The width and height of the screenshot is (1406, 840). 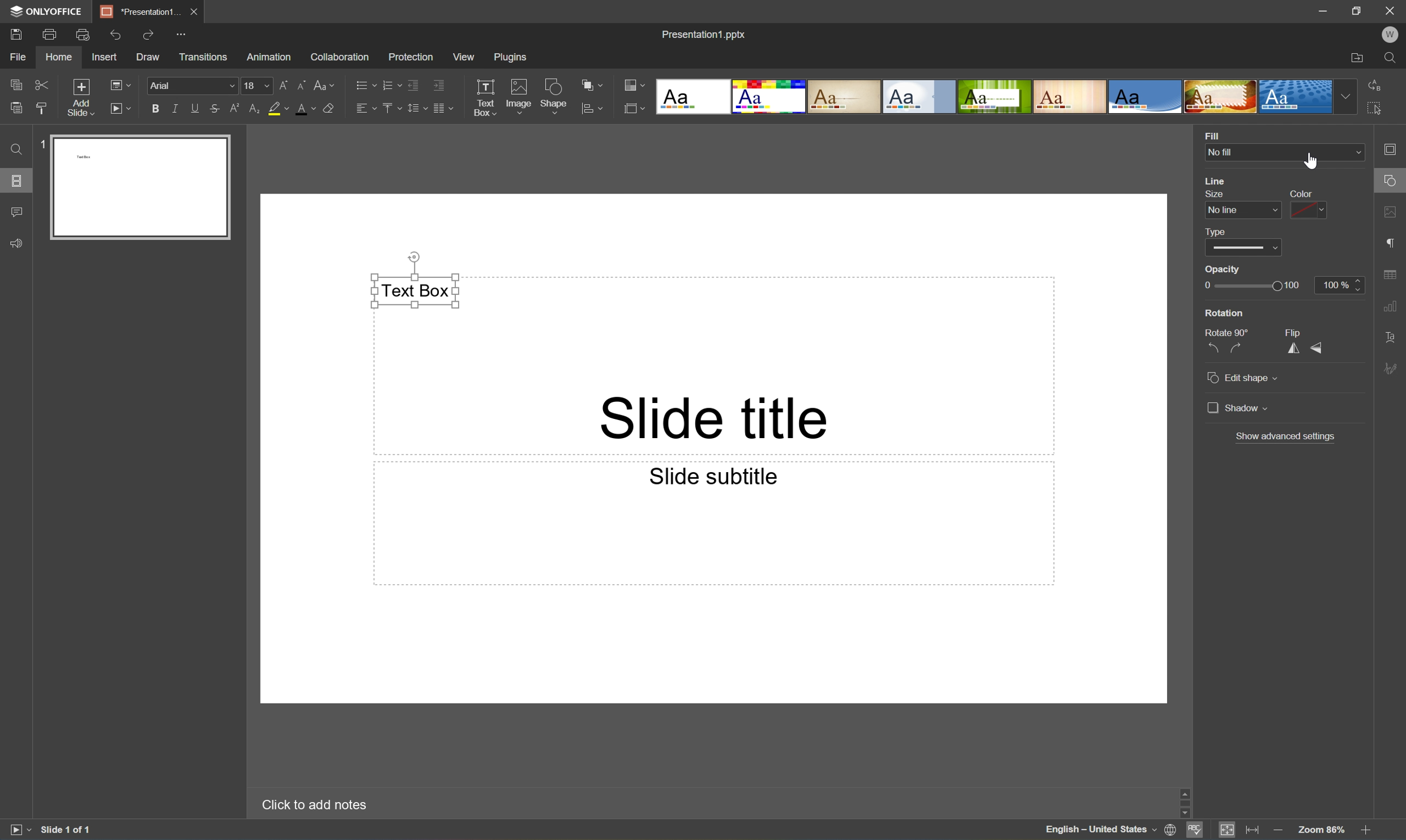 I want to click on Copy, so click(x=14, y=84).